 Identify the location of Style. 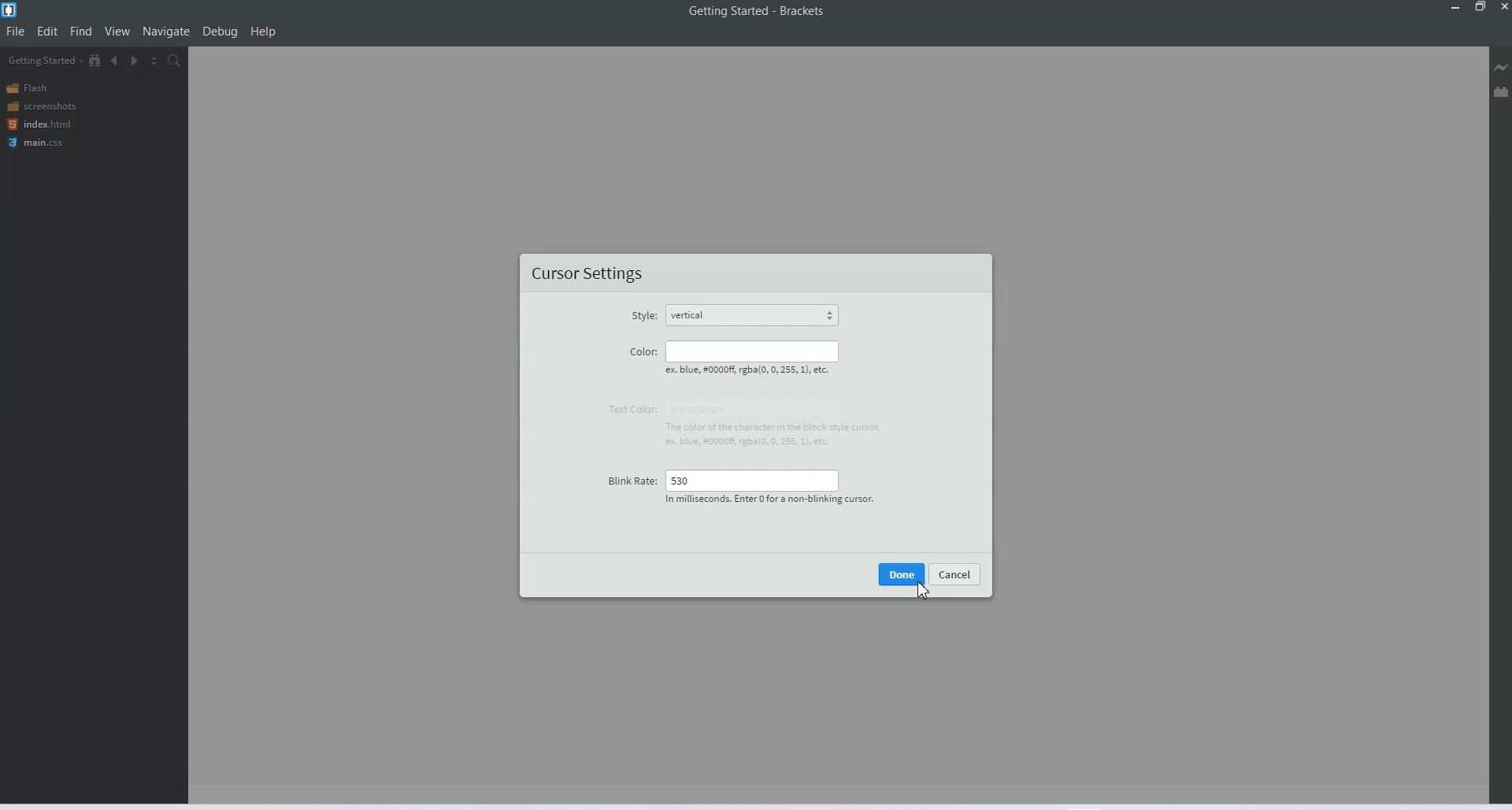
(644, 314).